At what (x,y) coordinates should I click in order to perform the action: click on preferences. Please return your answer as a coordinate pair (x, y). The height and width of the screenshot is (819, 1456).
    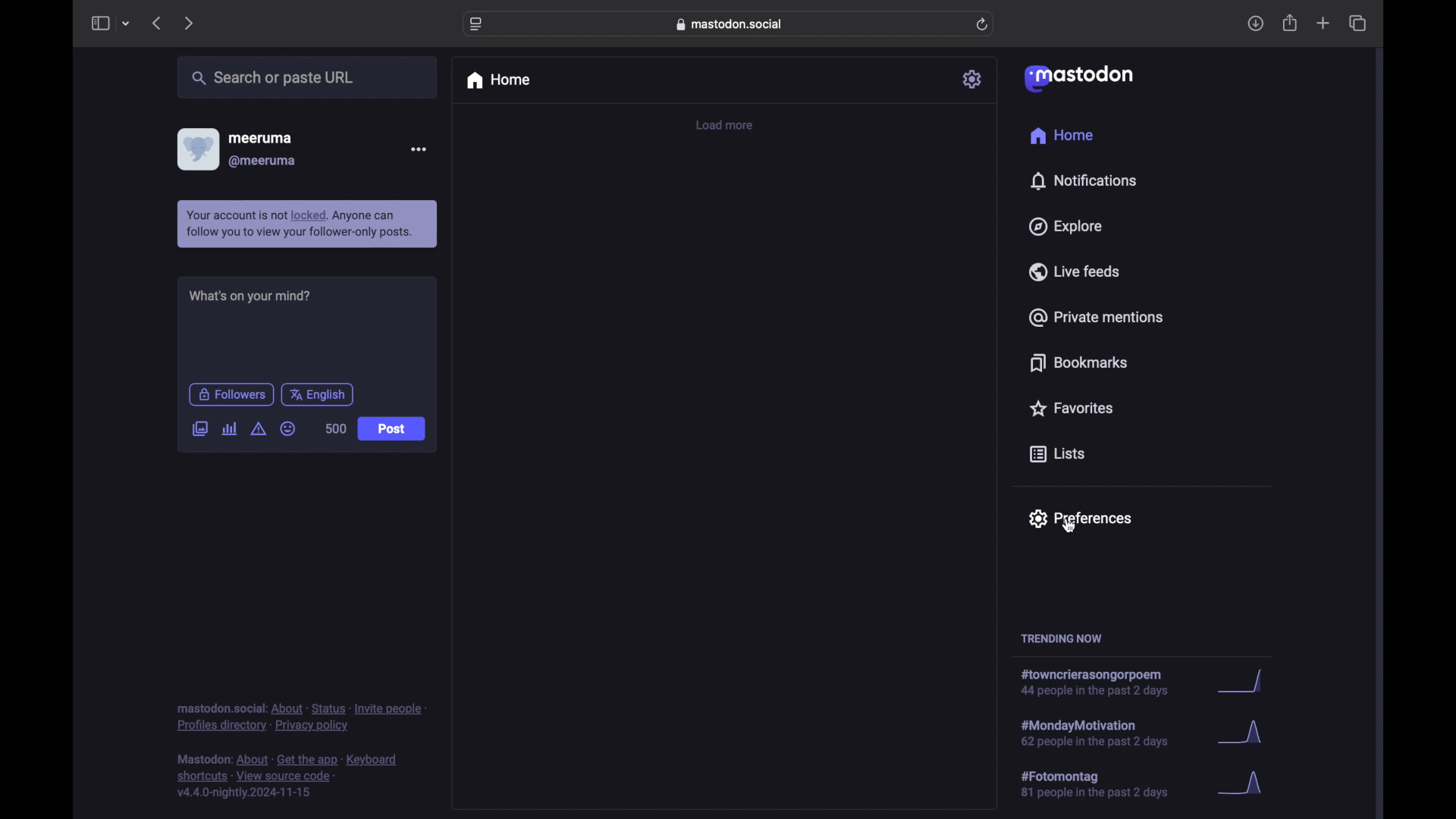
    Looking at the image, I should click on (1082, 519).